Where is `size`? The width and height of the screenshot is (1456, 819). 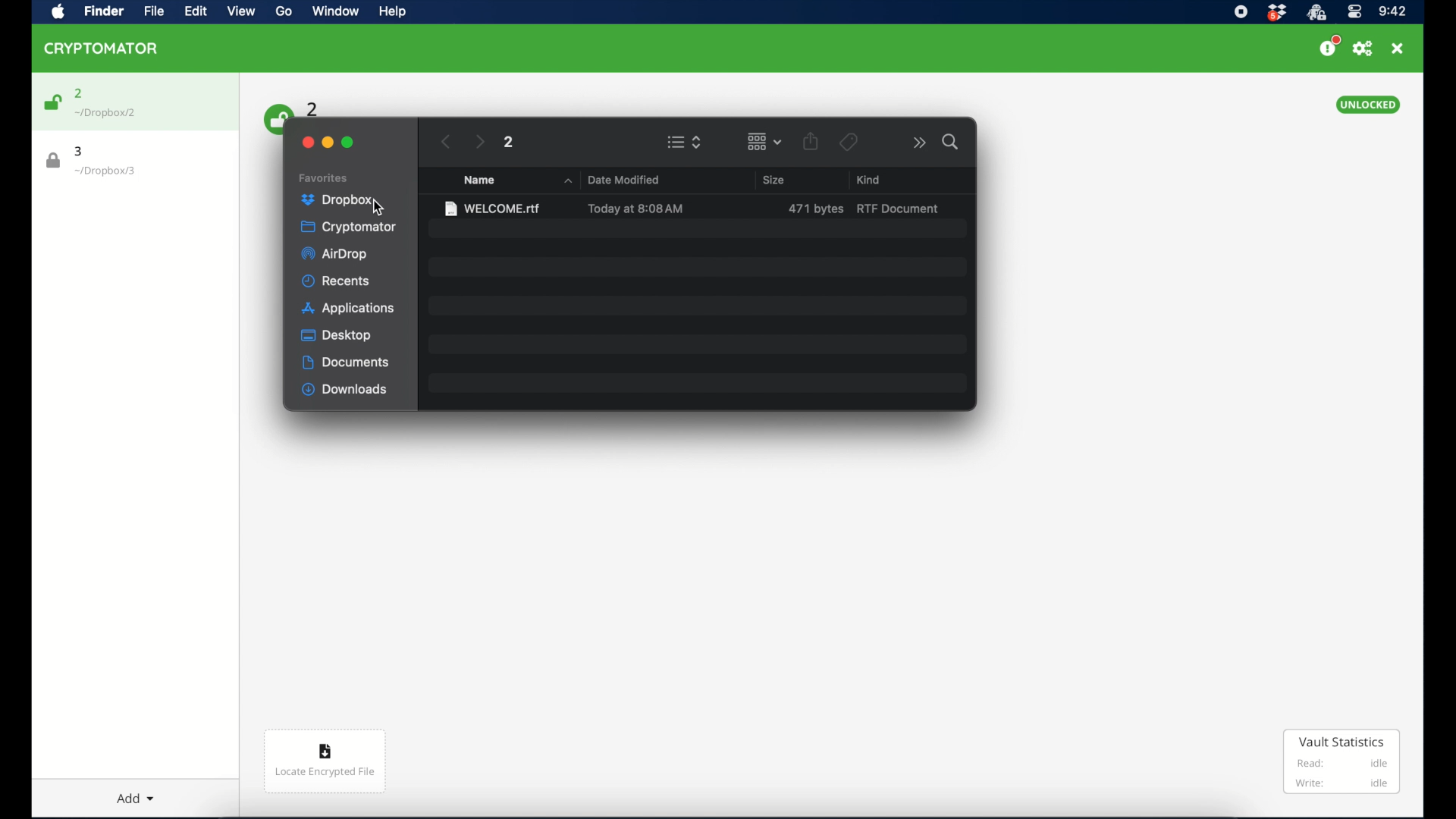
size is located at coordinates (773, 180).